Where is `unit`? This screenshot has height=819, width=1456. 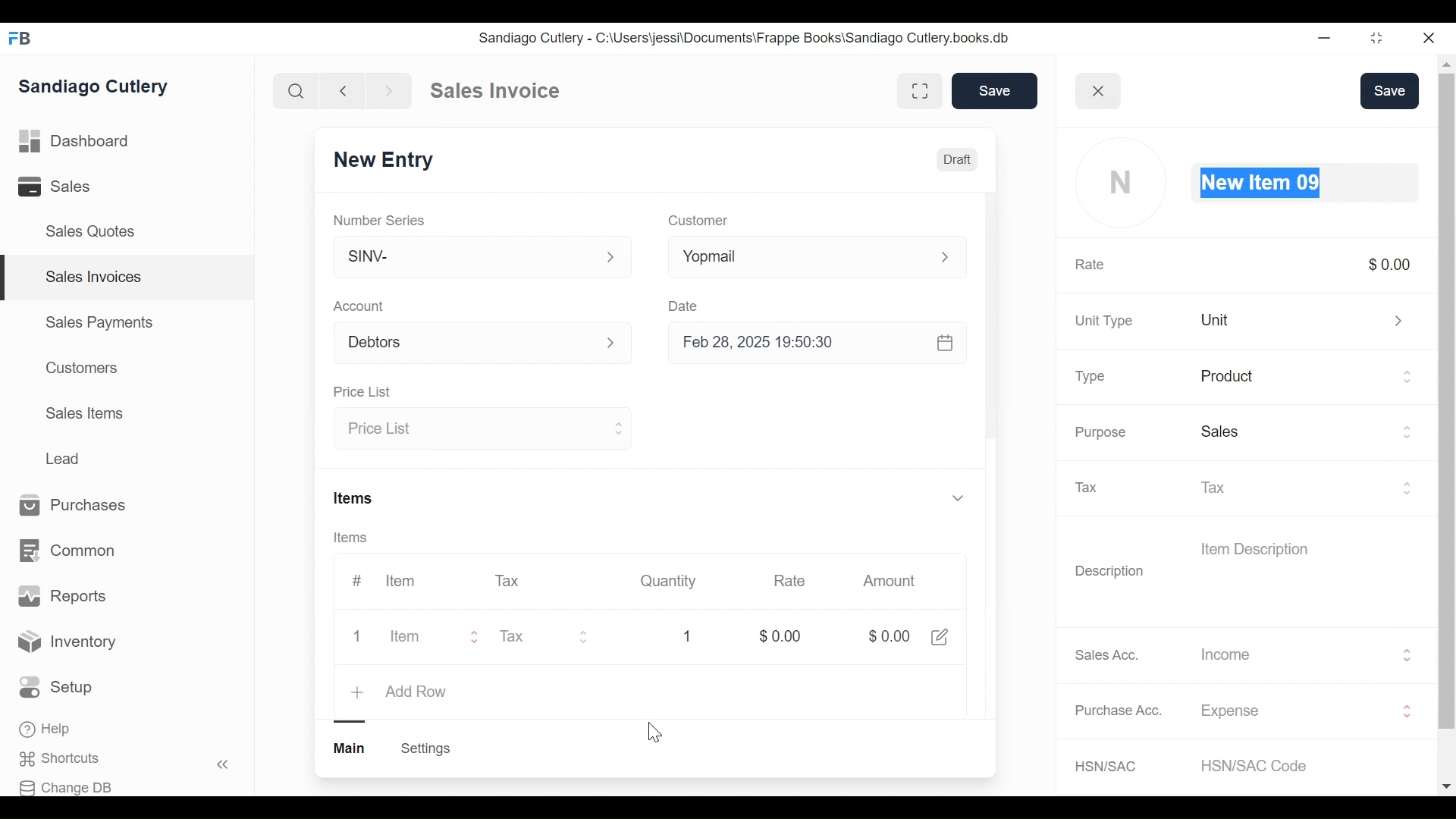 unit is located at coordinates (1307, 319).